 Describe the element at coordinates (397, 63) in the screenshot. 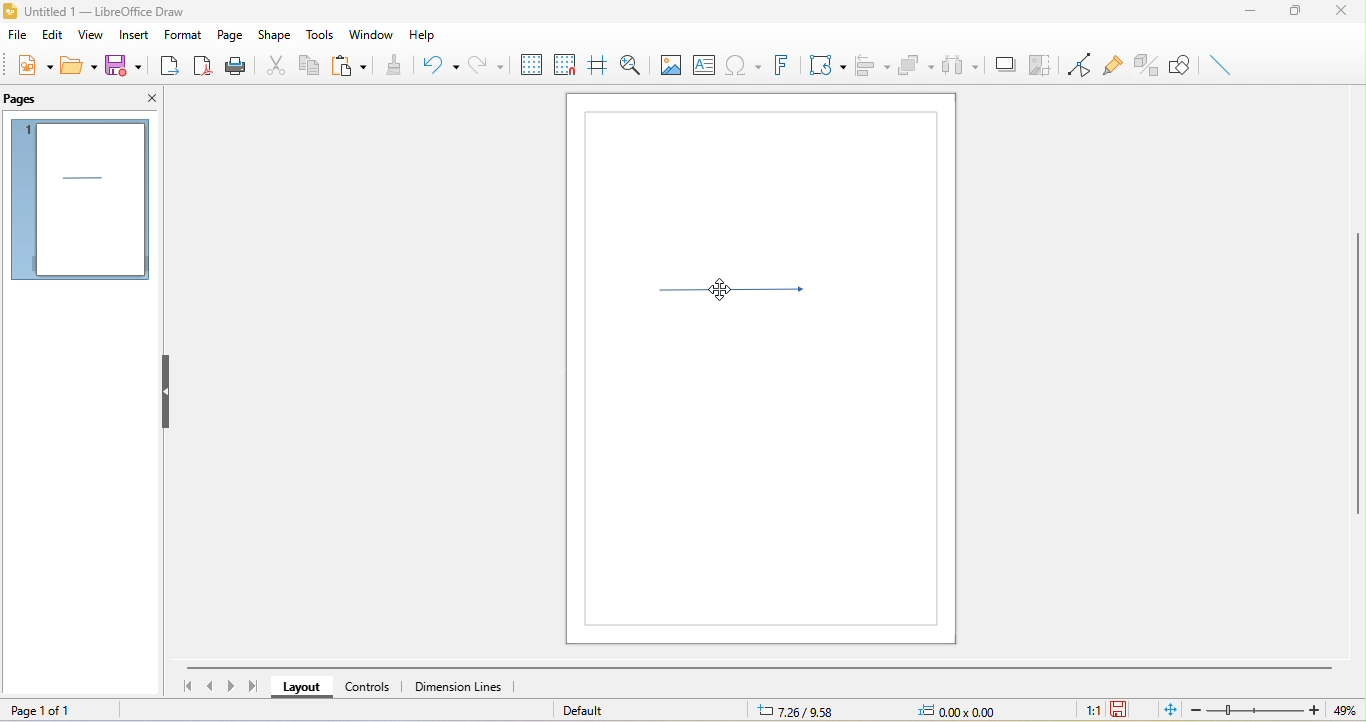

I see `clone formatting` at that location.